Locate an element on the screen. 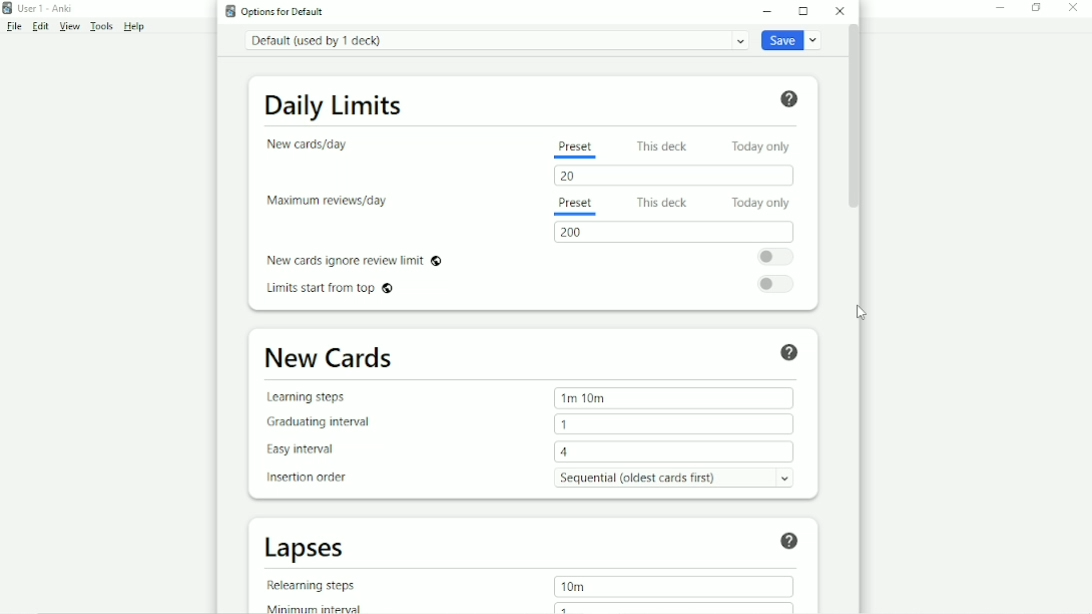  This deck is located at coordinates (663, 147).